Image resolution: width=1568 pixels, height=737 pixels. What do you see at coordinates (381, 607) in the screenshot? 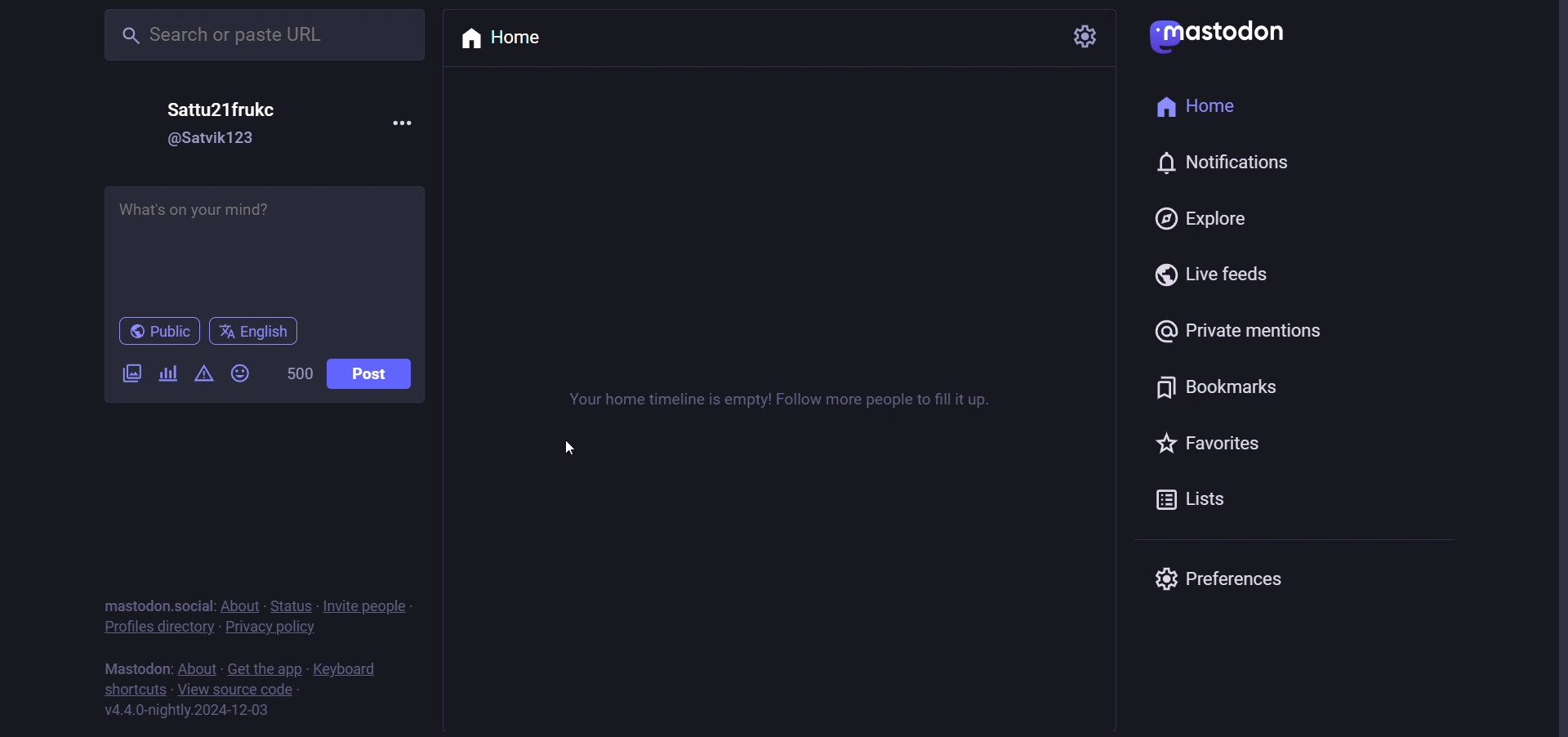
I see `invite people` at bounding box center [381, 607].